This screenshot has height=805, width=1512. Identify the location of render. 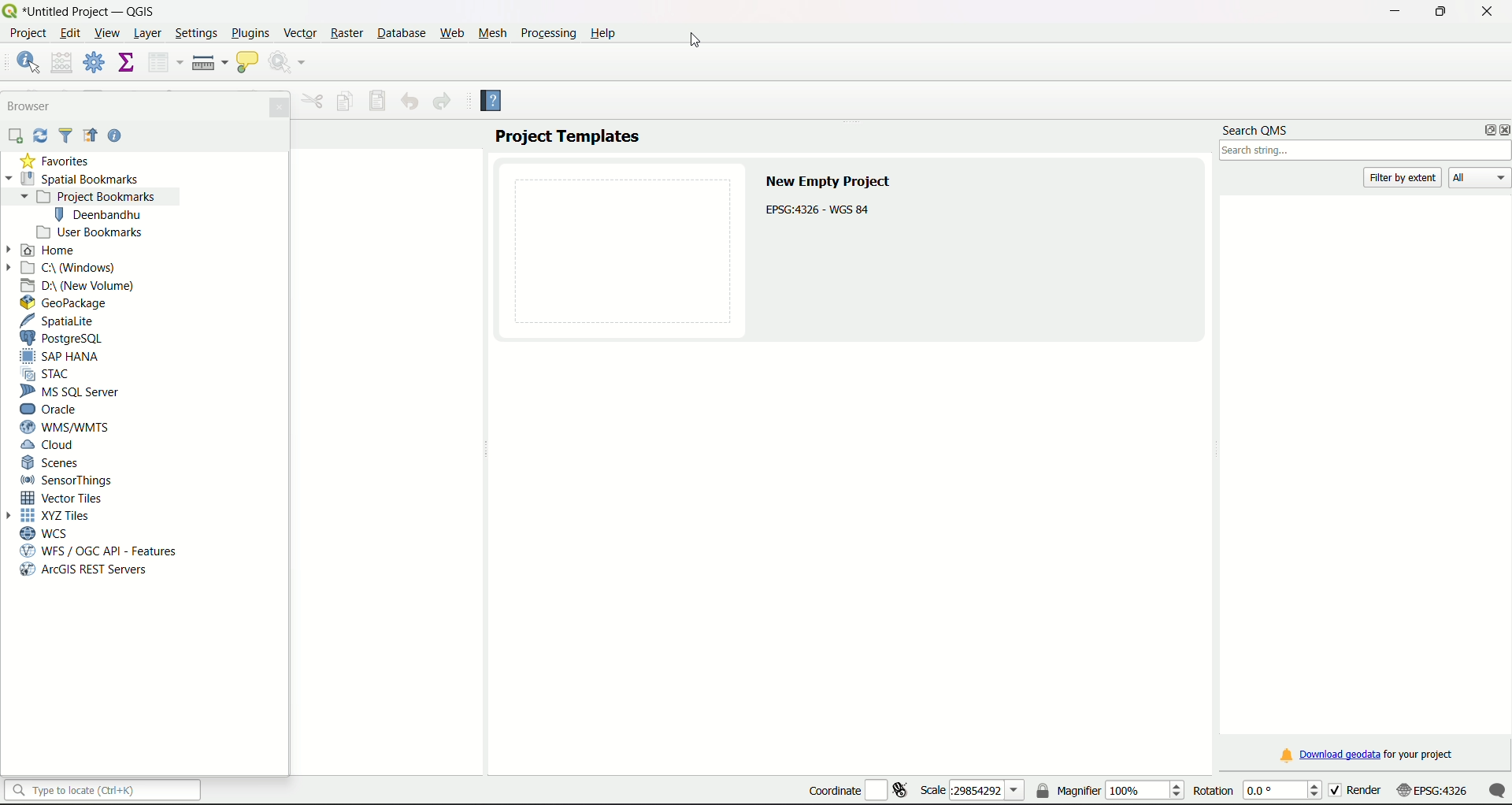
(1369, 791).